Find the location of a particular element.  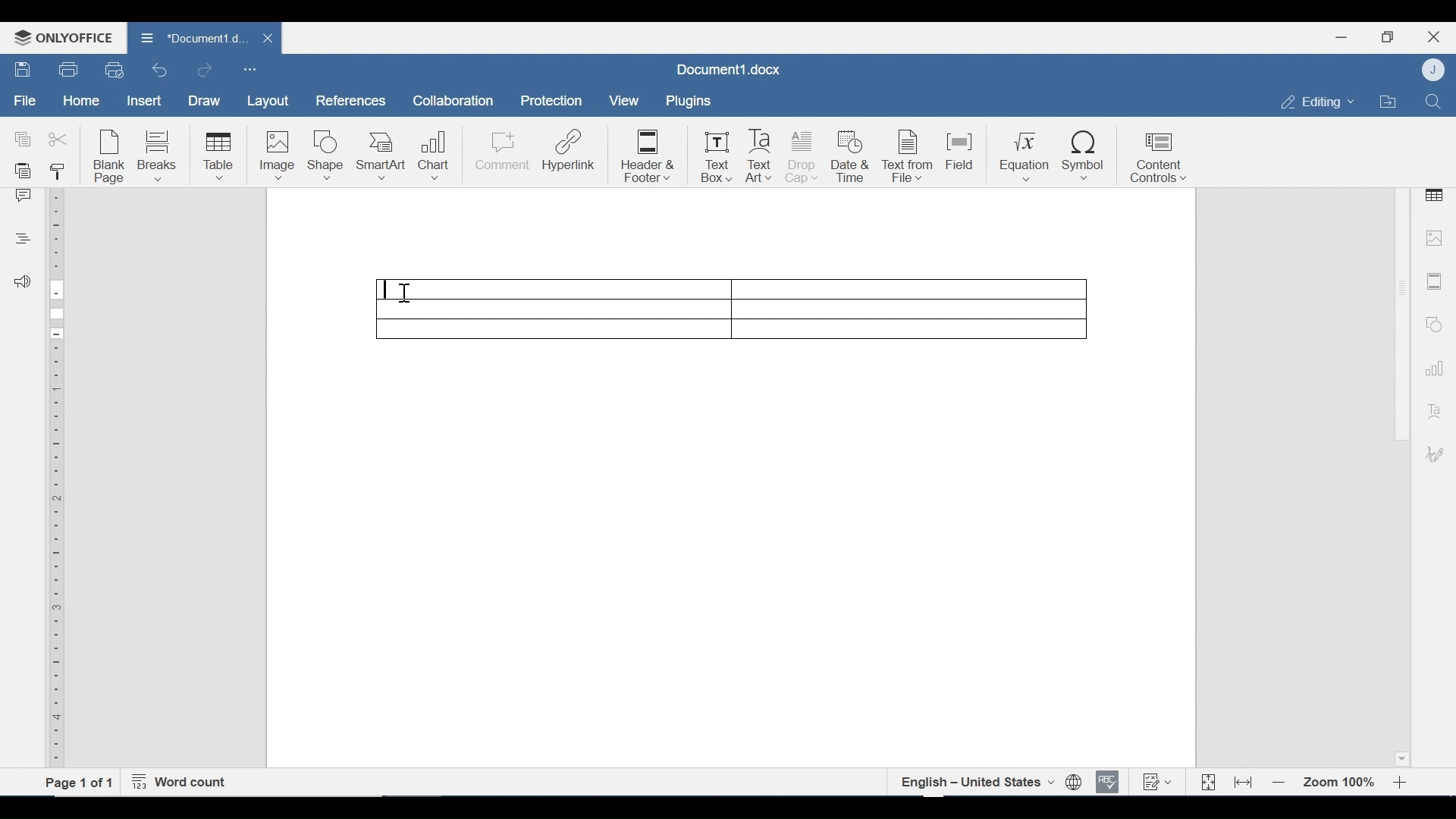

Header & Footer is located at coordinates (648, 158).